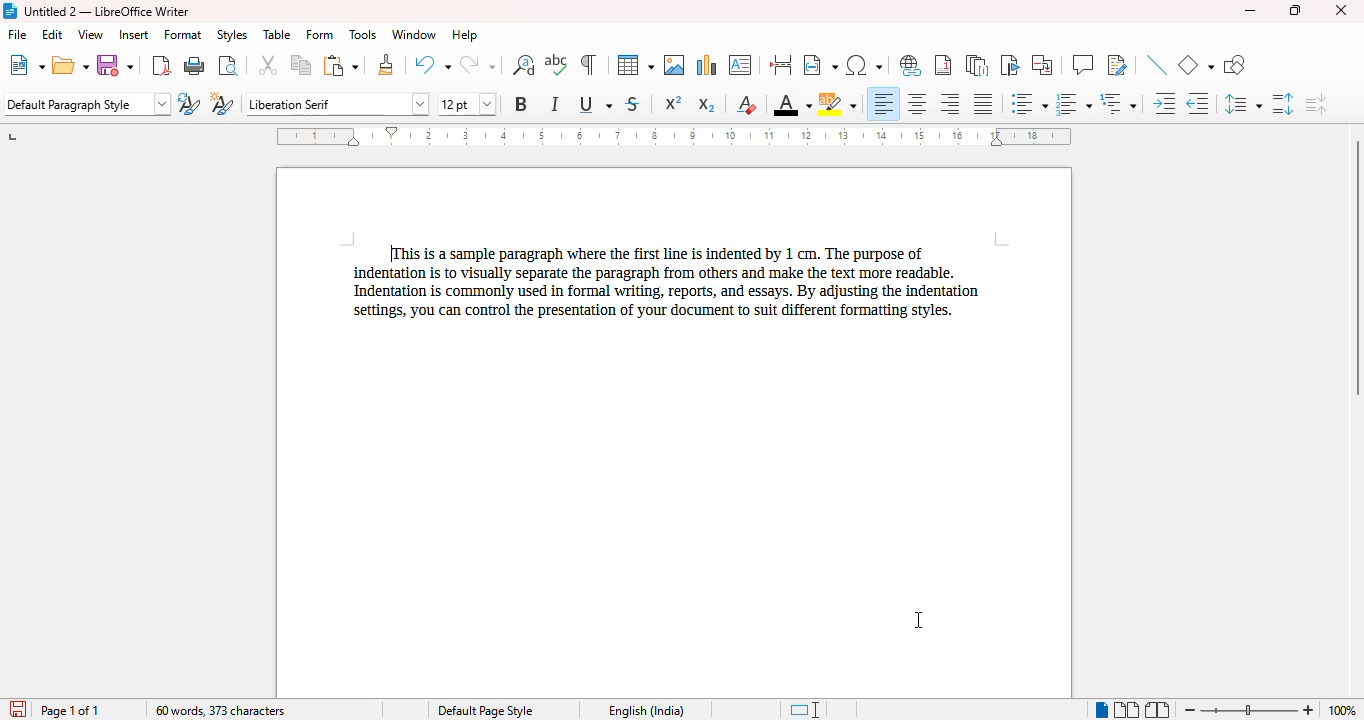  I want to click on zoom in, so click(1309, 709).